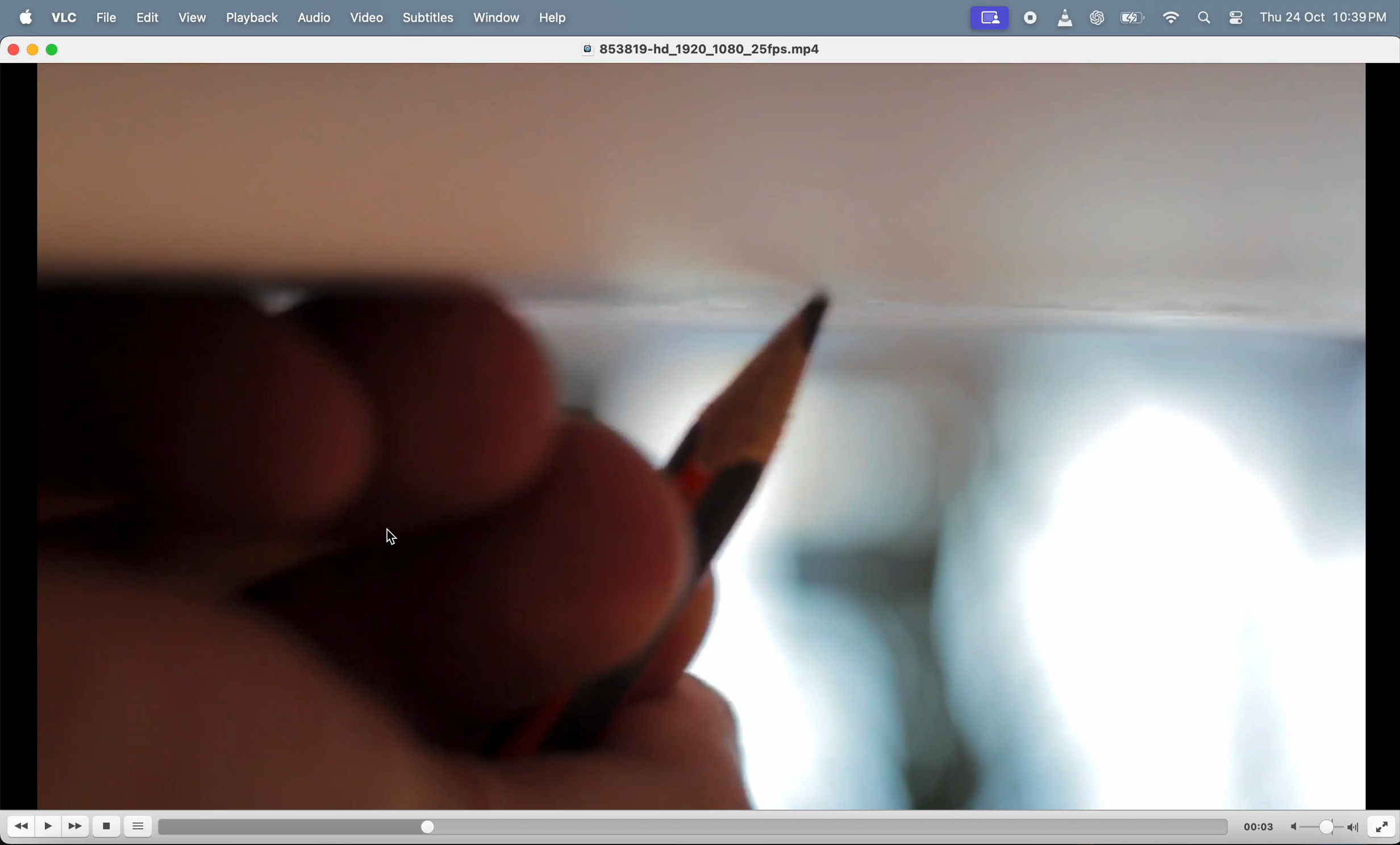 The width and height of the screenshot is (1400, 845). I want to click on Audio, so click(315, 19).